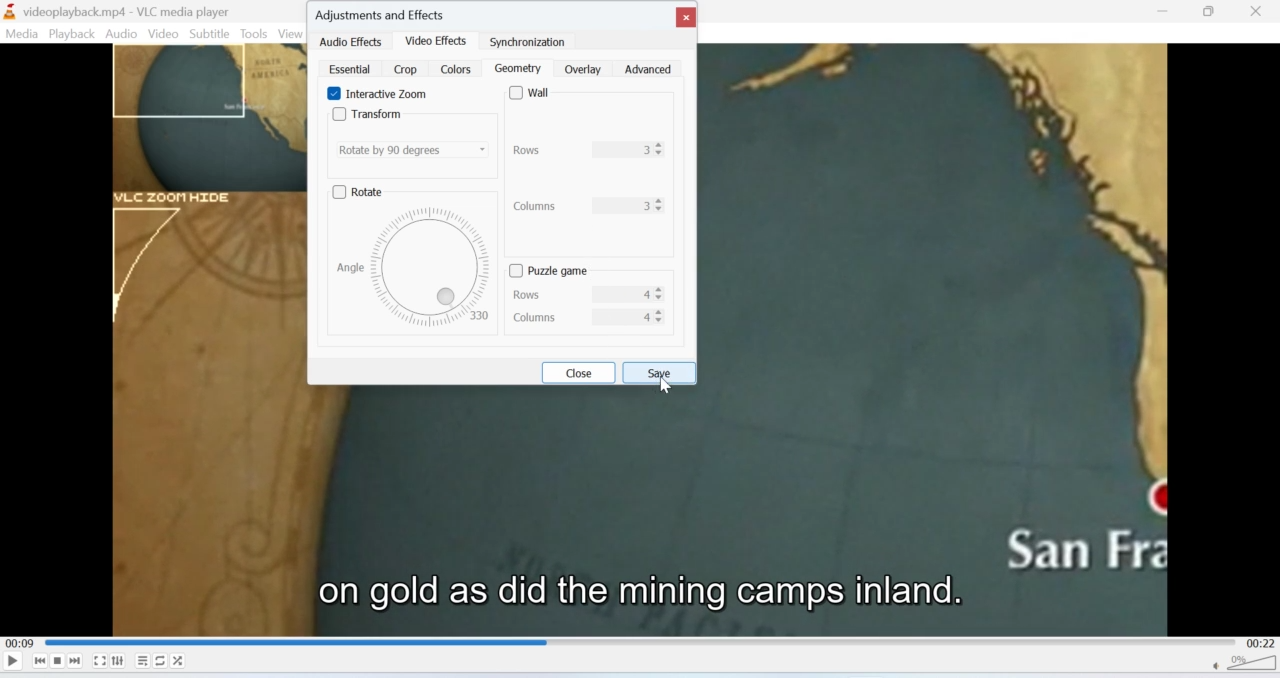 The width and height of the screenshot is (1280, 678). What do you see at coordinates (583, 318) in the screenshot?
I see `columns     4` at bounding box center [583, 318].